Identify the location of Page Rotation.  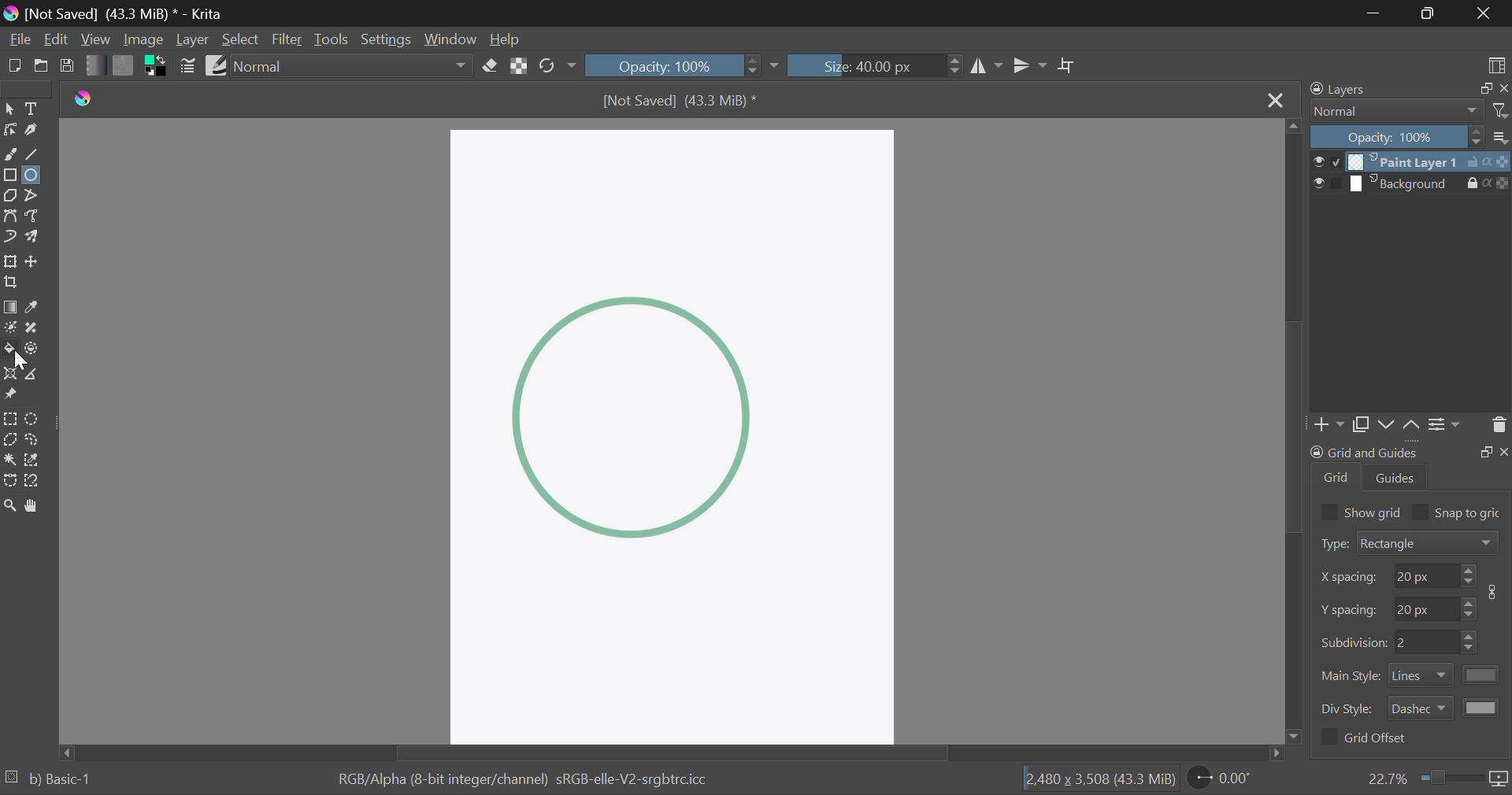
(1224, 780).